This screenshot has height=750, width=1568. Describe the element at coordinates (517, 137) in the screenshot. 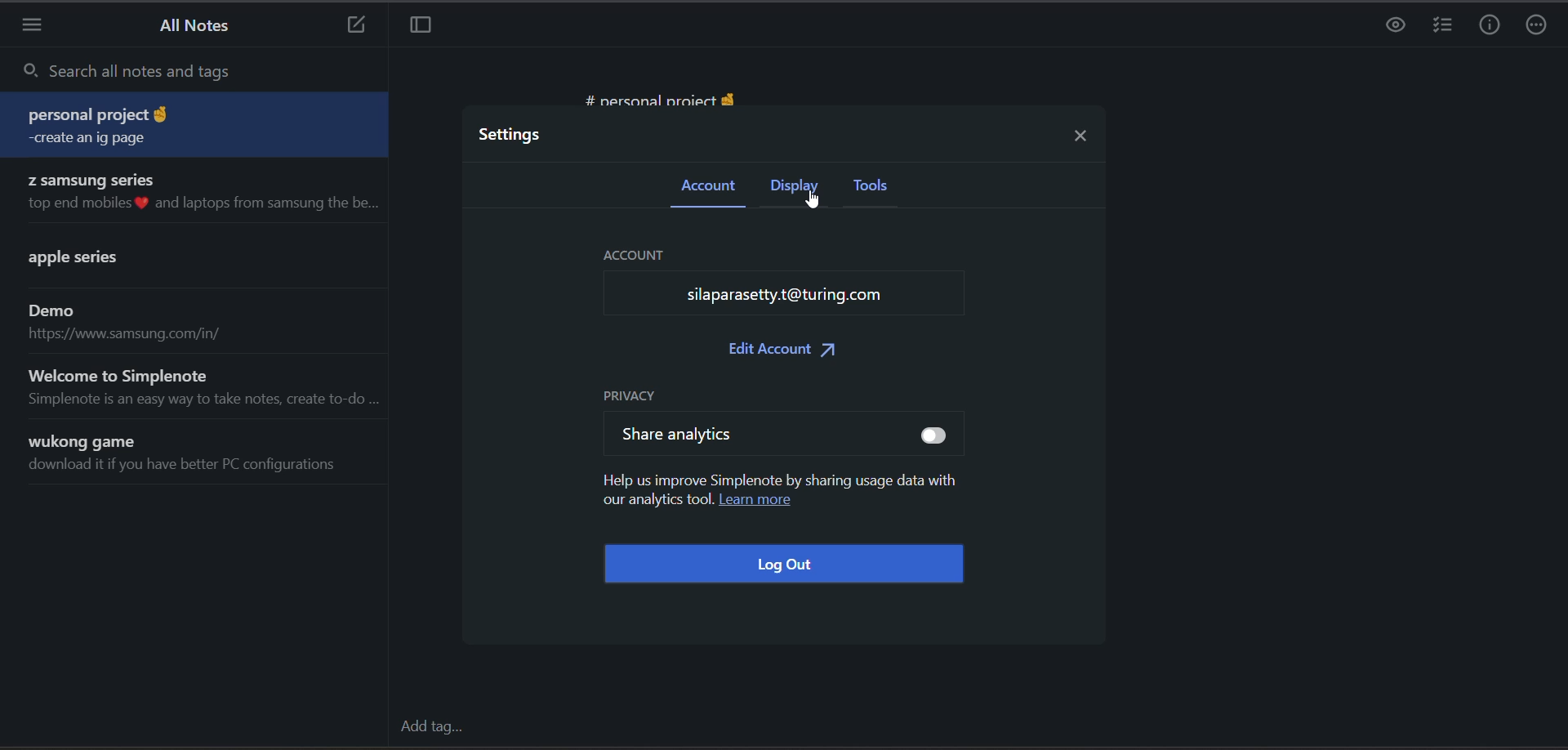

I see `settings` at that location.